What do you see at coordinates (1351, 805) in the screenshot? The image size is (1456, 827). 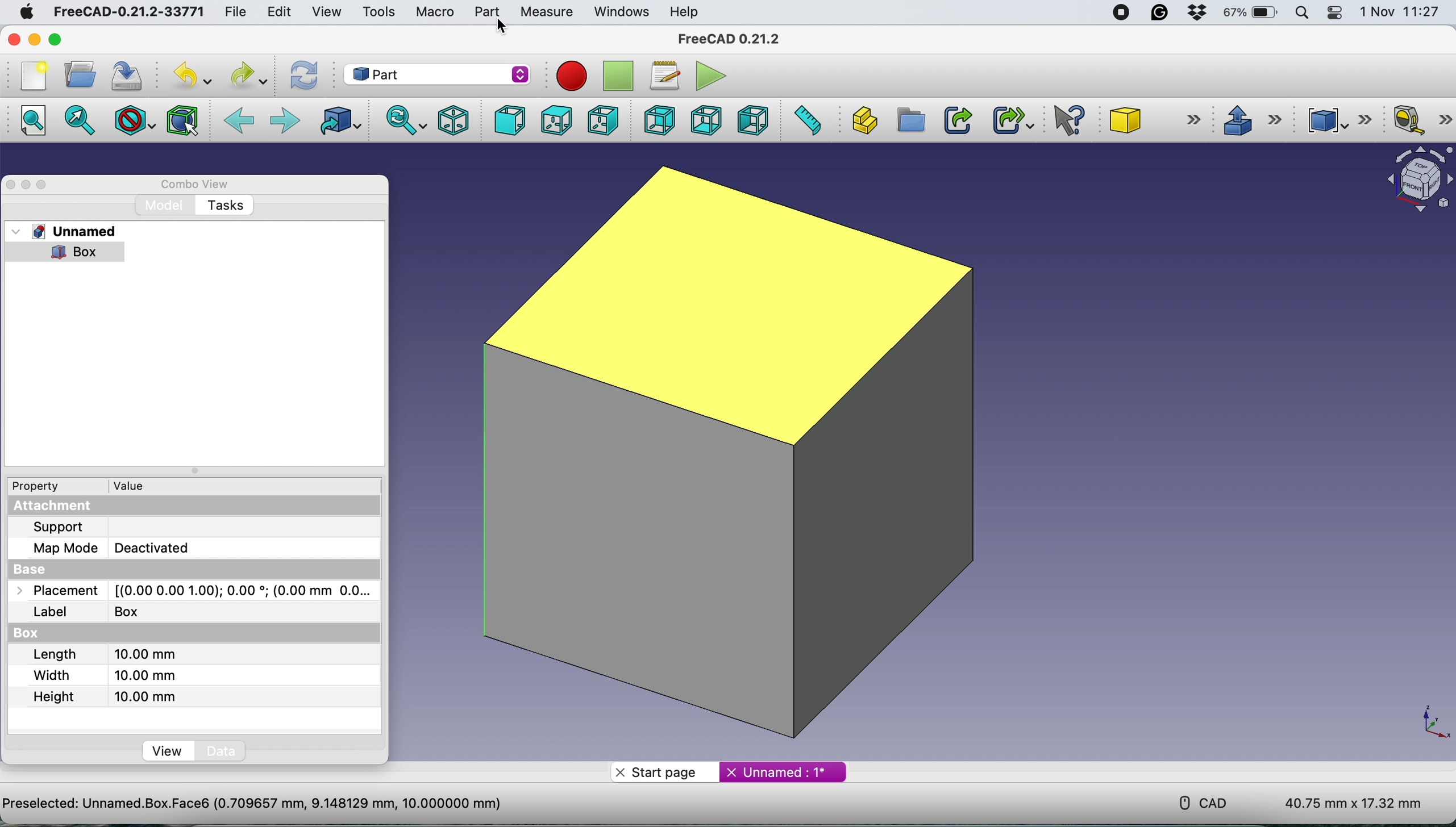 I see `dimensions` at bounding box center [1351, 805].